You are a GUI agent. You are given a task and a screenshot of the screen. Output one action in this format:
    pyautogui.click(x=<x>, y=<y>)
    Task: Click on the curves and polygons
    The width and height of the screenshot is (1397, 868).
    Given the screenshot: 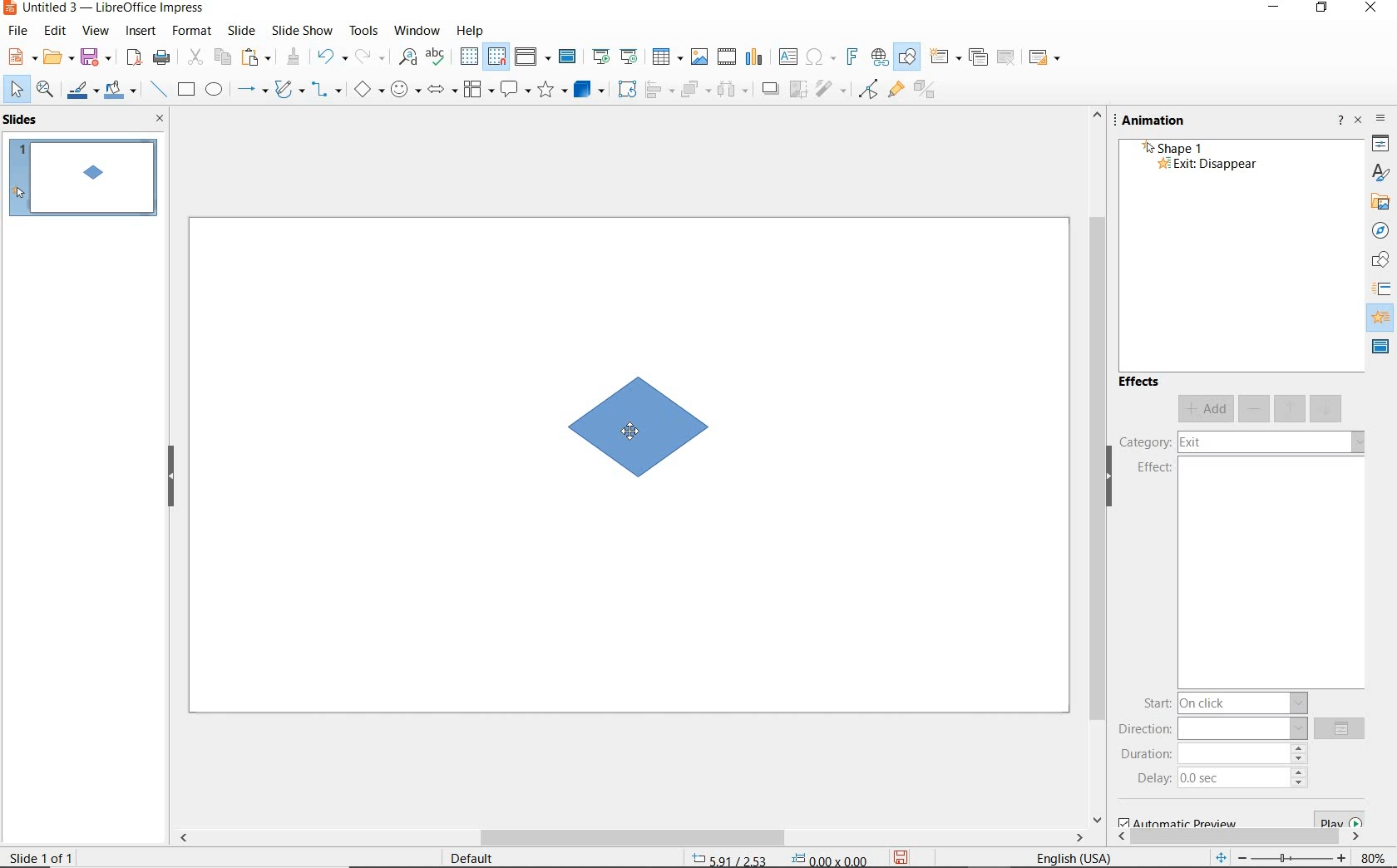 What is the action you would take?
    pyautogui.click(x=289, y=91)
    